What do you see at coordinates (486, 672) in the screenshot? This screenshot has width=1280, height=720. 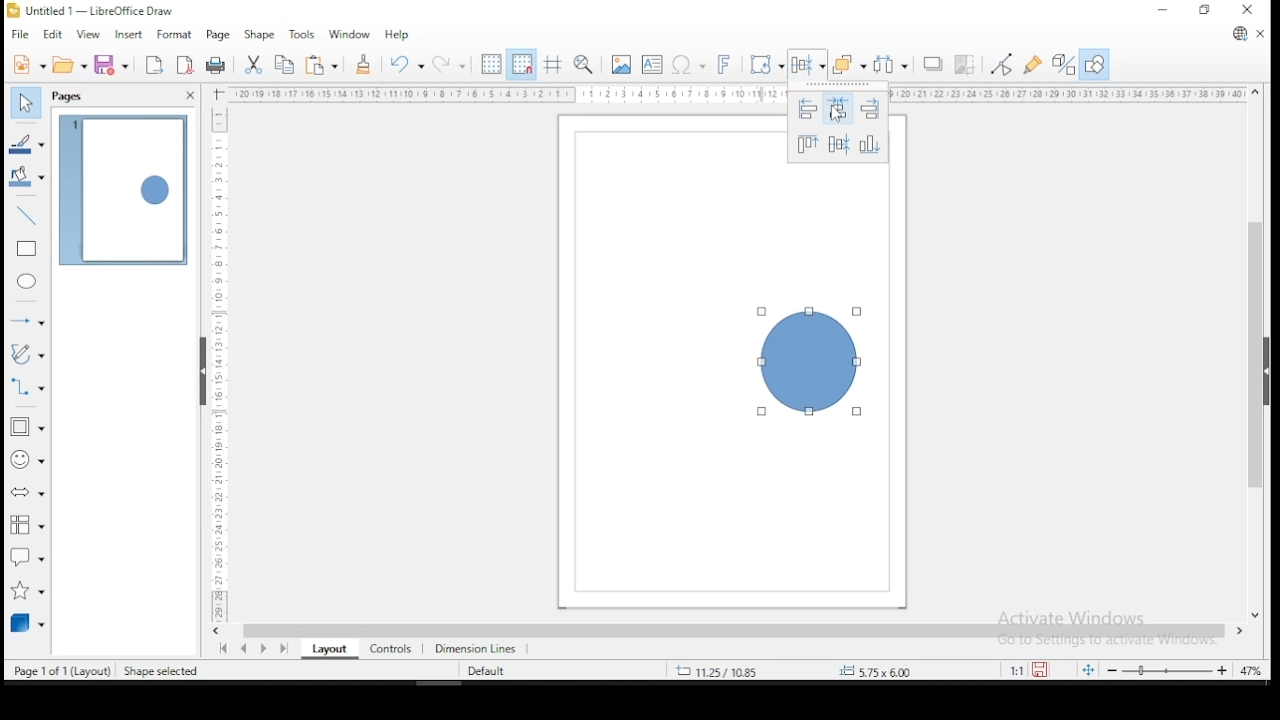 I see `default` at bounding box center [486, 672].